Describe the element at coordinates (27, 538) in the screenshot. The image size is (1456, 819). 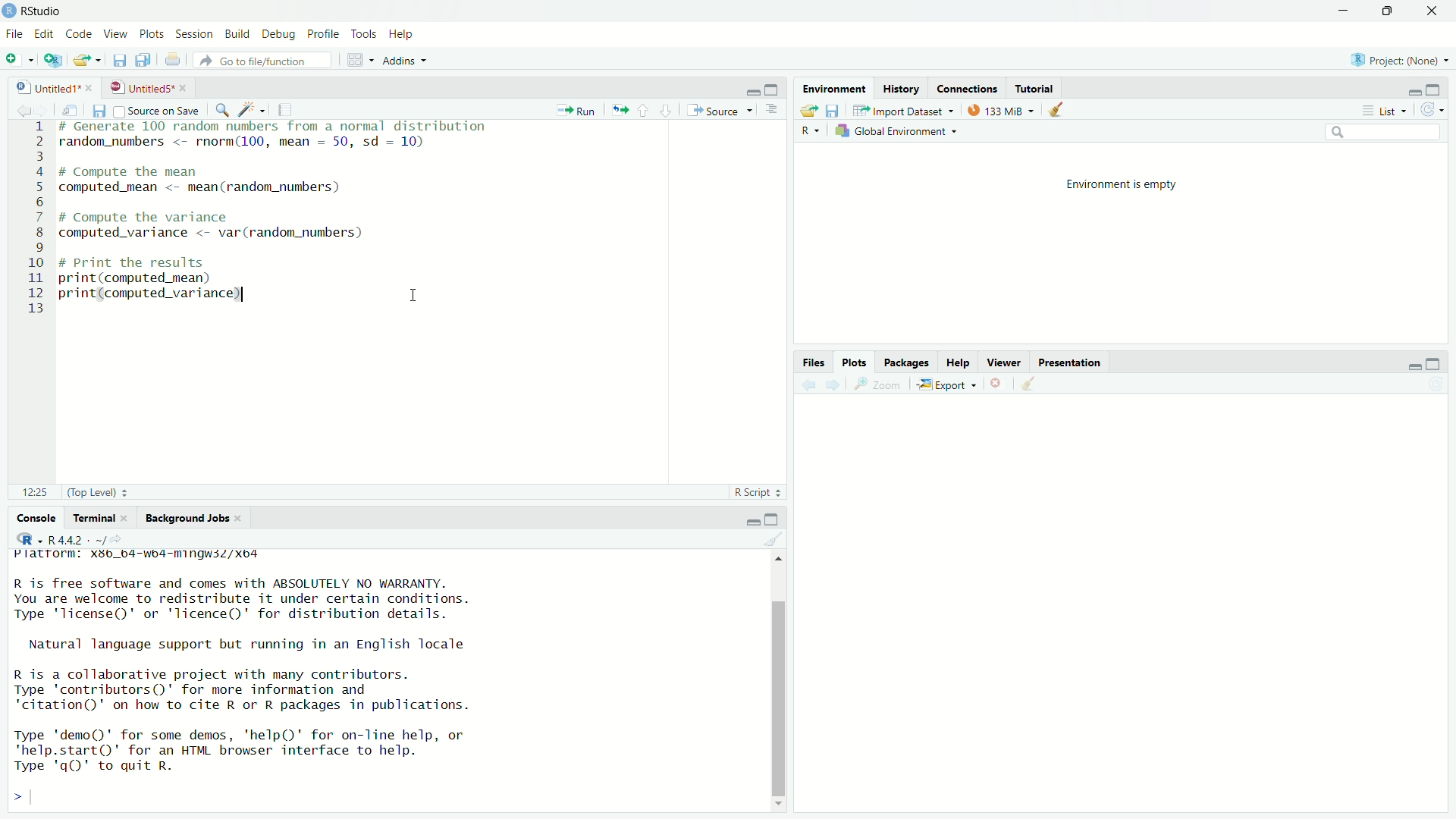
I see `select language` at that location.